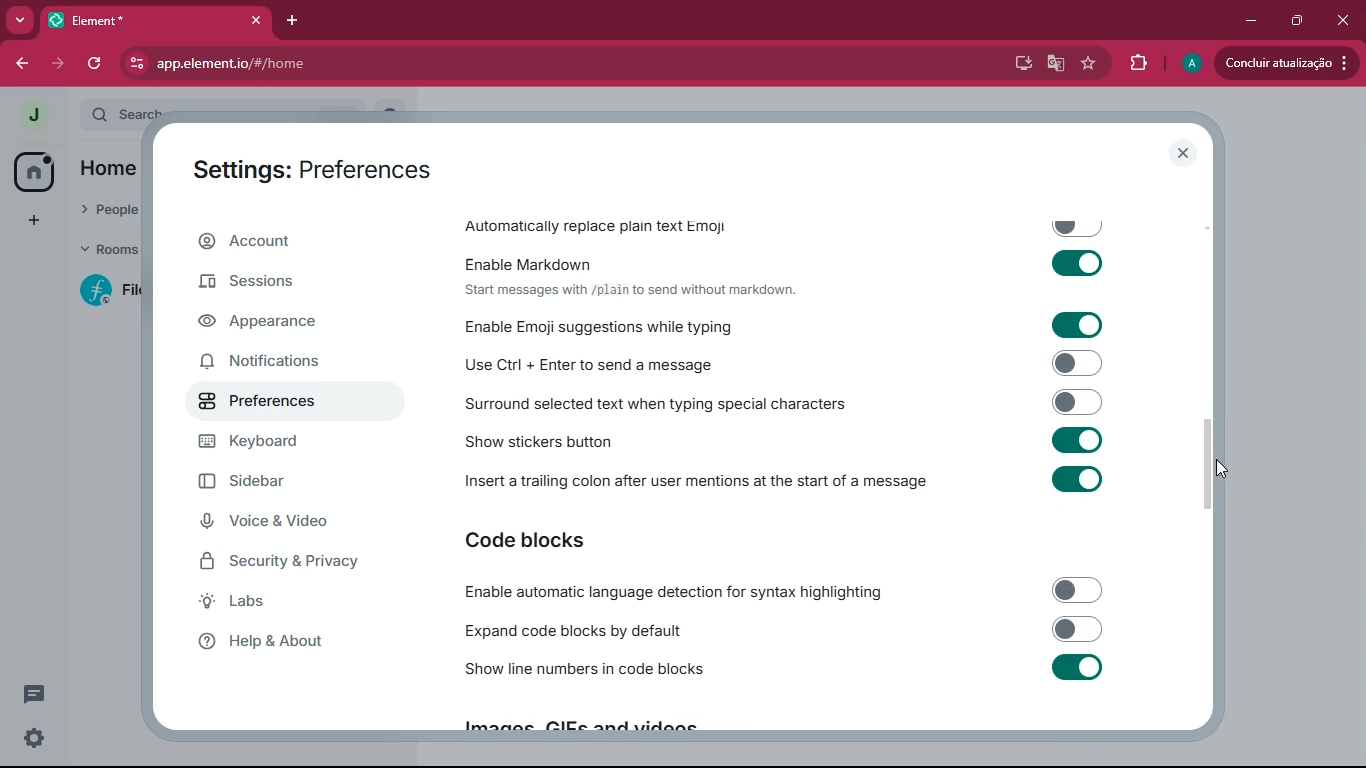 Image resolution: width=1366 pixels, height=768 pixels. I want to click on messages, so click(38, 694).